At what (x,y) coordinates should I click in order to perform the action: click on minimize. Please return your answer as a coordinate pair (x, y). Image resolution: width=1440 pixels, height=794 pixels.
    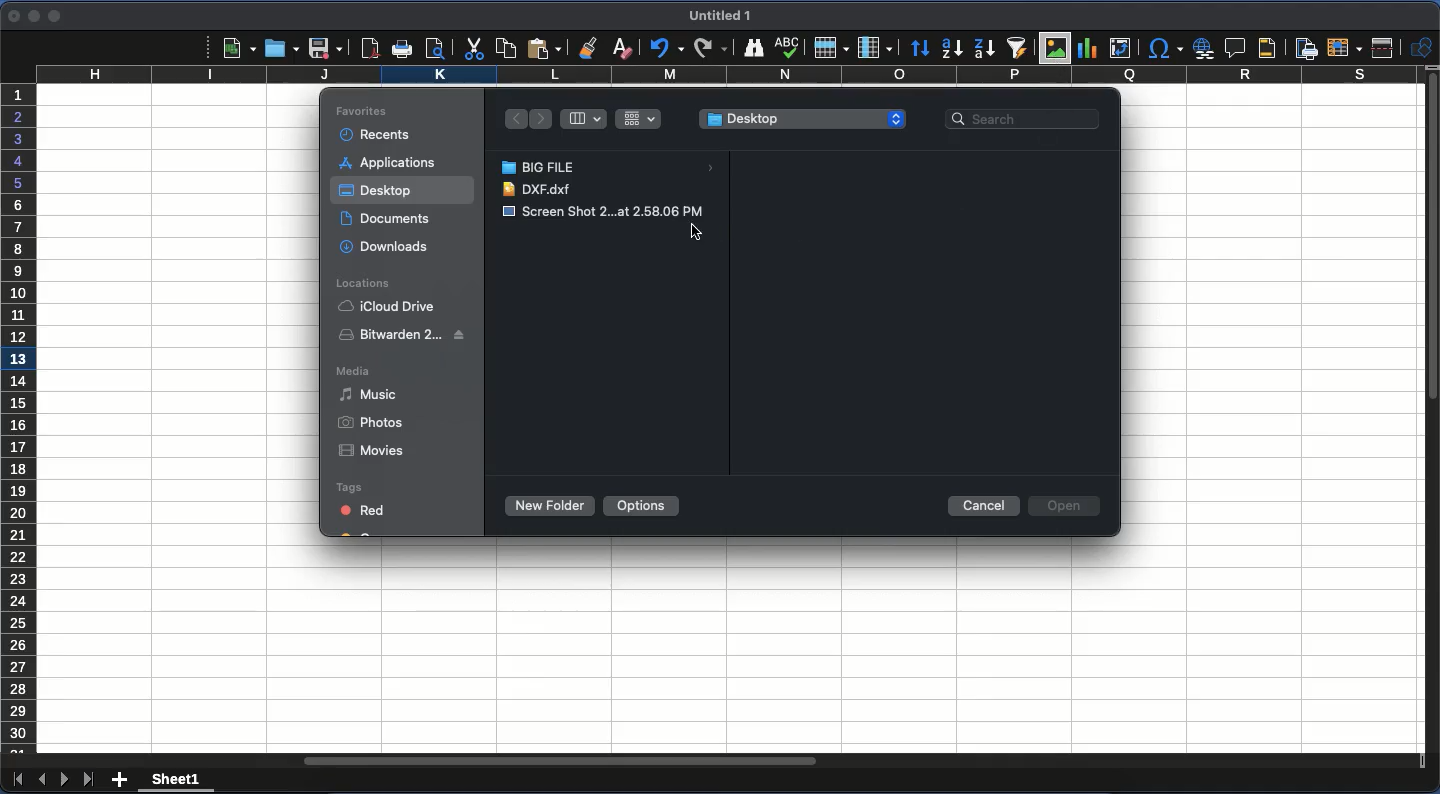
    Looking at the image, I should click on (33, 16).